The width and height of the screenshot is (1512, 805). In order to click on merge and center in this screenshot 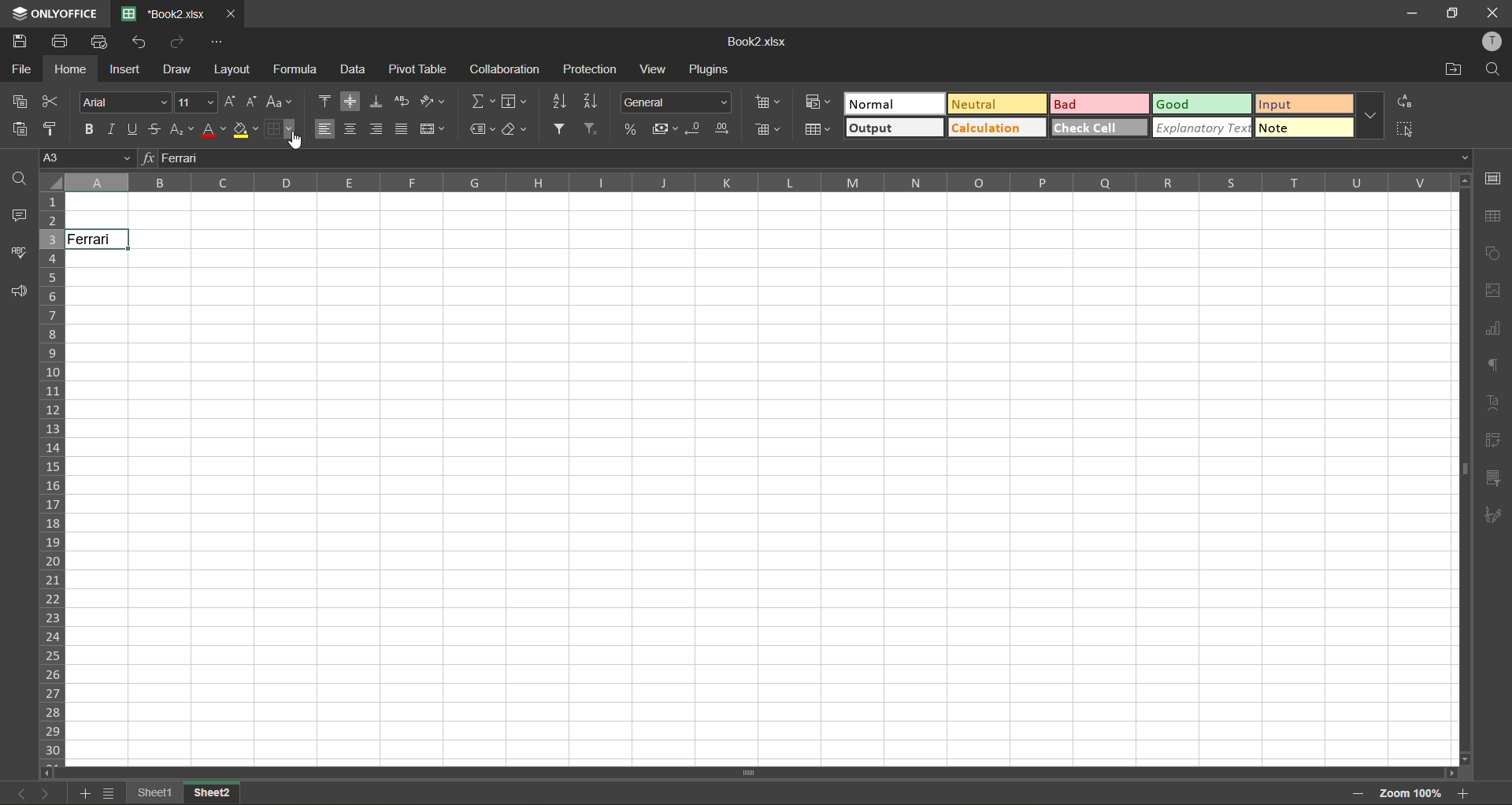, I will do `click(431, 127)`.